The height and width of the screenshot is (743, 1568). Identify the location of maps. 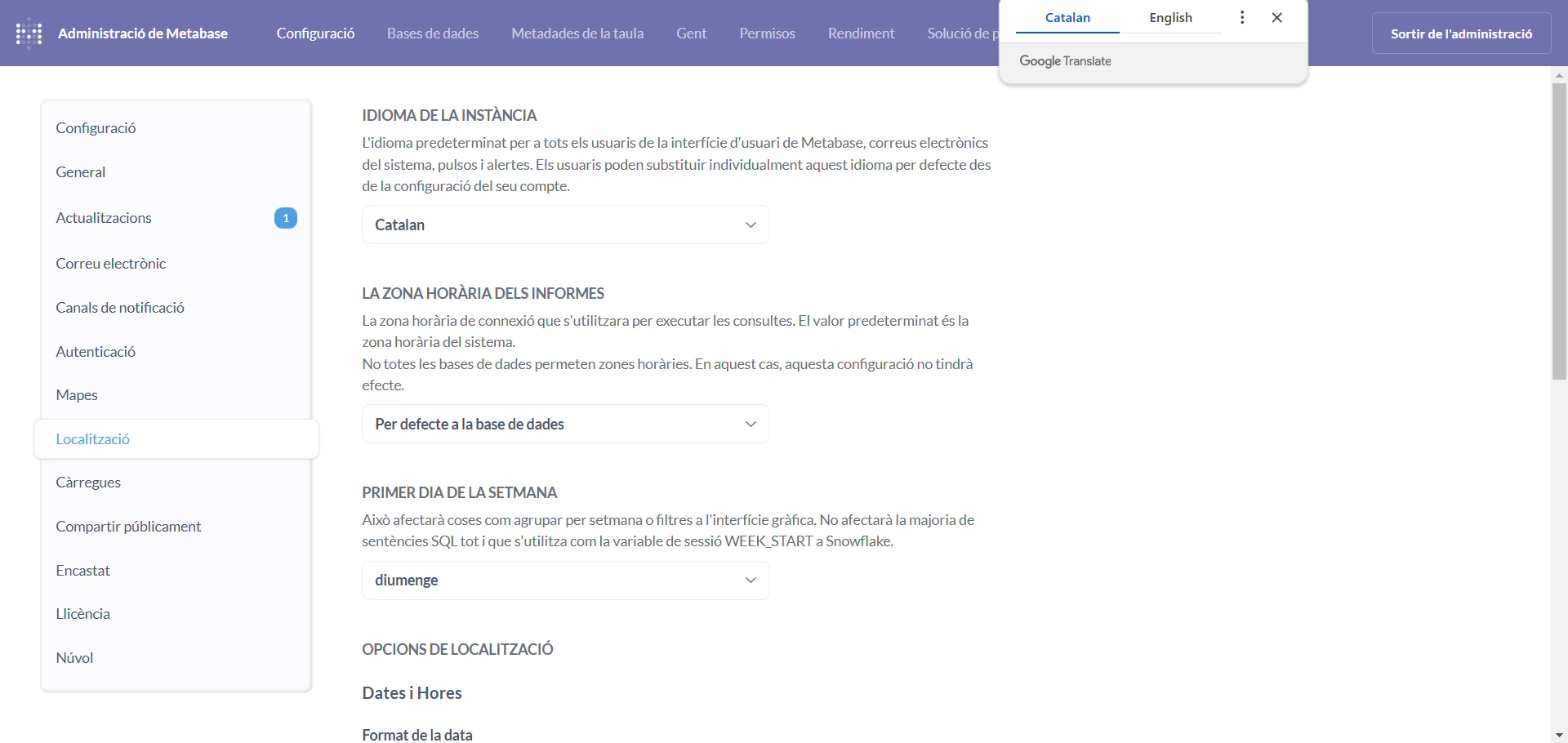
(166, 398).